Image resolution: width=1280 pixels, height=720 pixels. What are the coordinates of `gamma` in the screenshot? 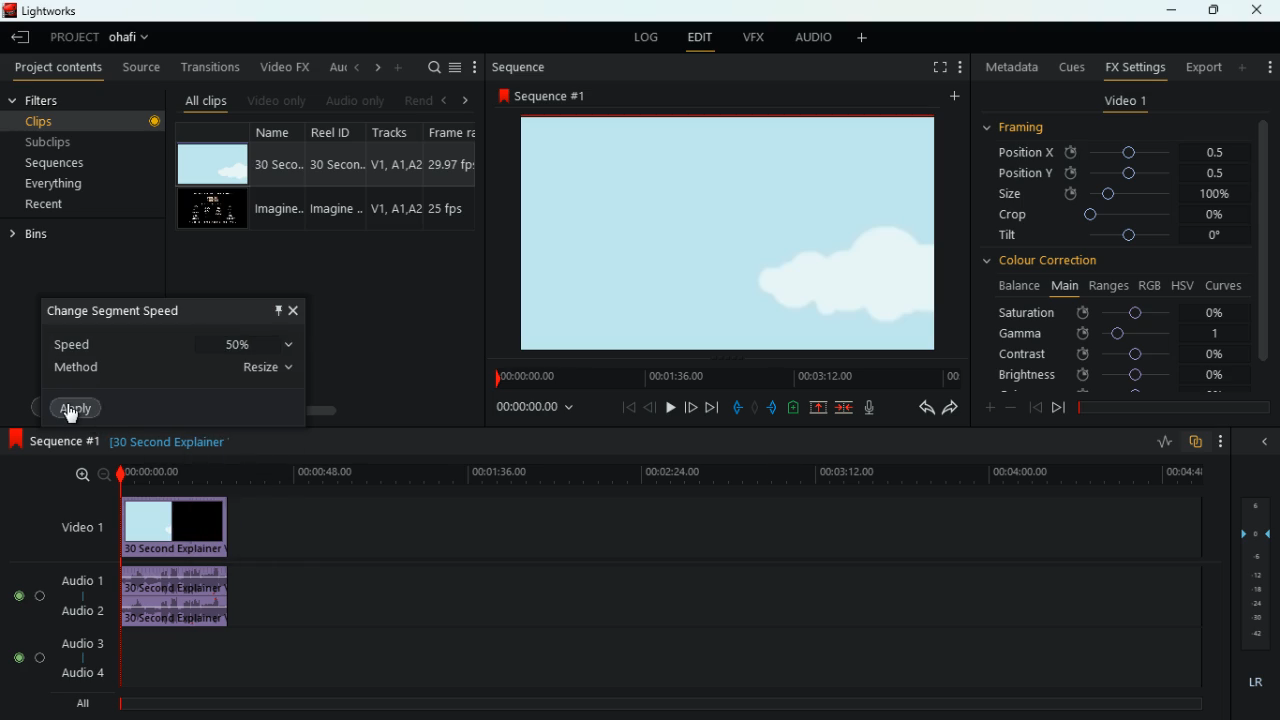 It's located at (1118, 332).